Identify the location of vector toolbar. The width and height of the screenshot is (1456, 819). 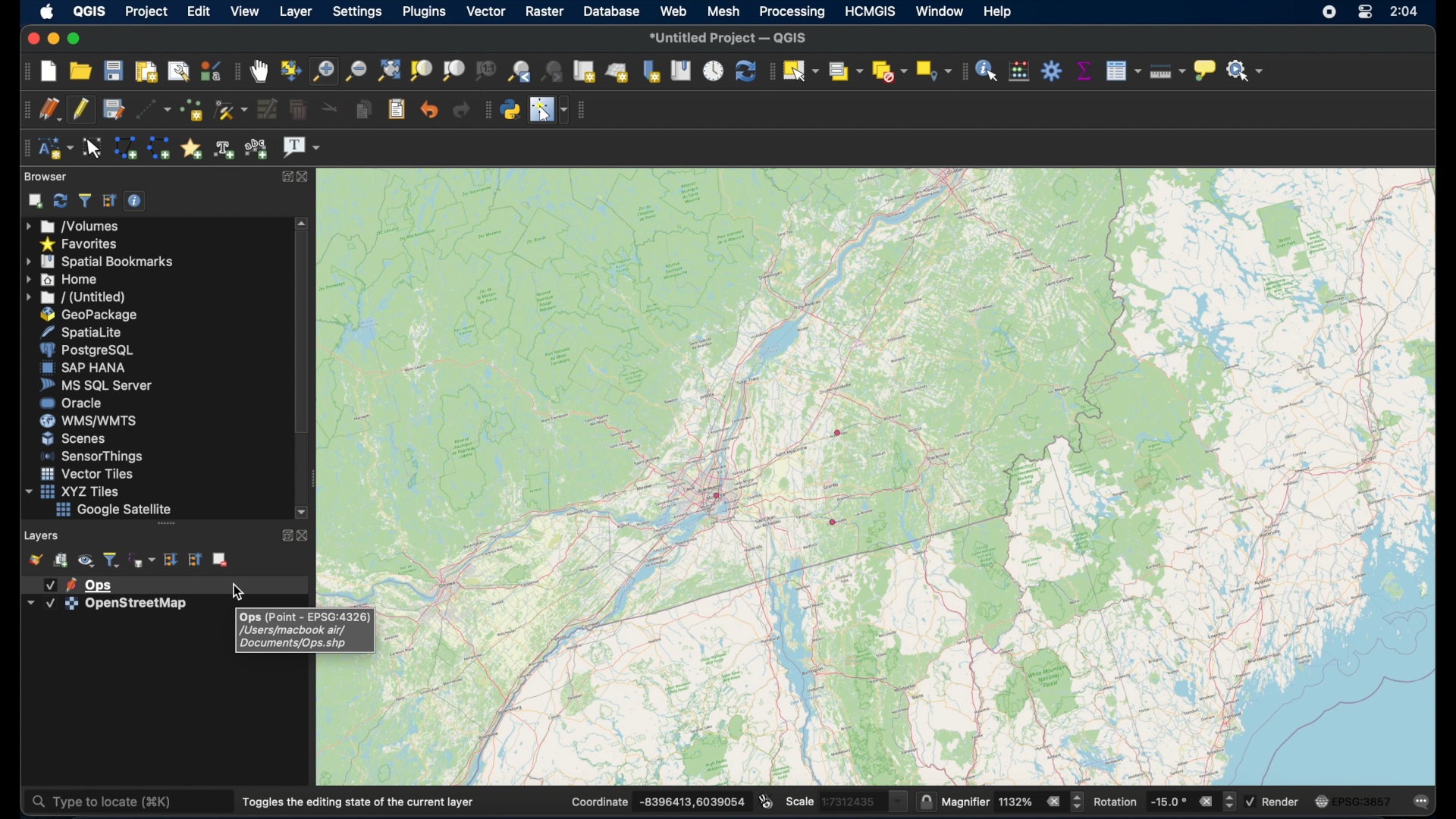
(585, 108).